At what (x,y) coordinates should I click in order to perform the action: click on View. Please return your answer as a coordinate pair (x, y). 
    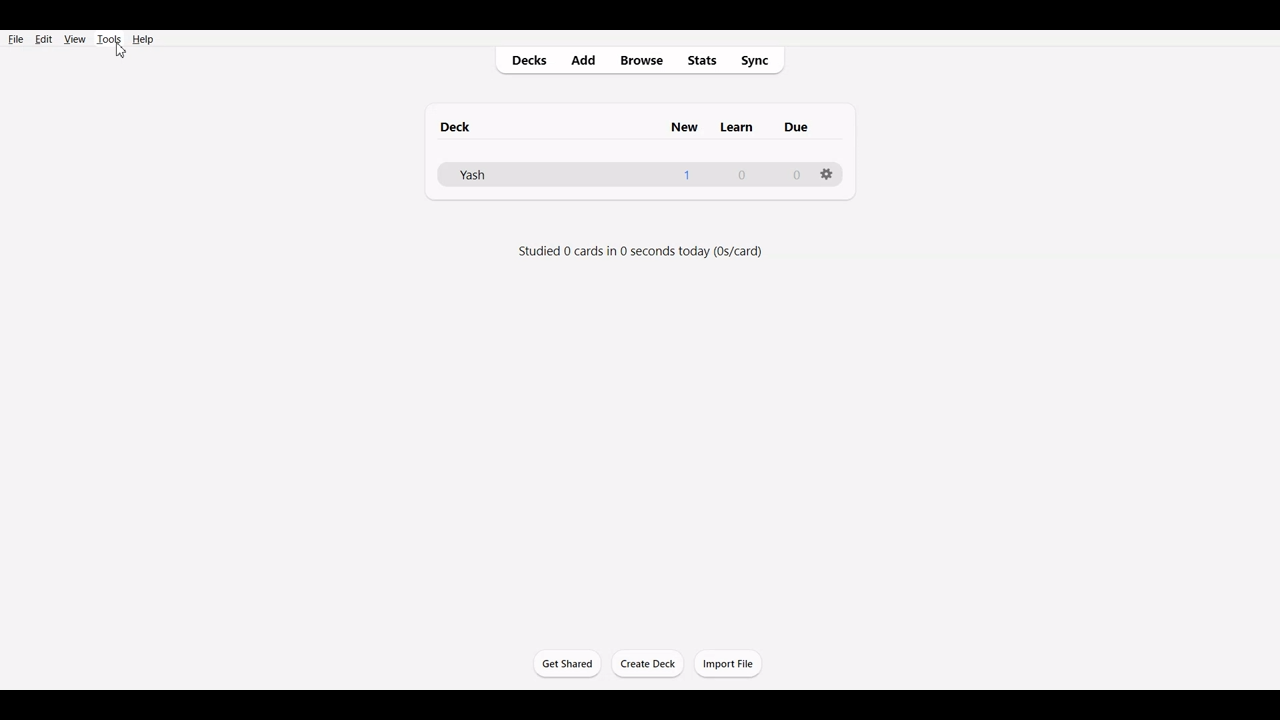
    Looking at the image, I should click on (74, 39).